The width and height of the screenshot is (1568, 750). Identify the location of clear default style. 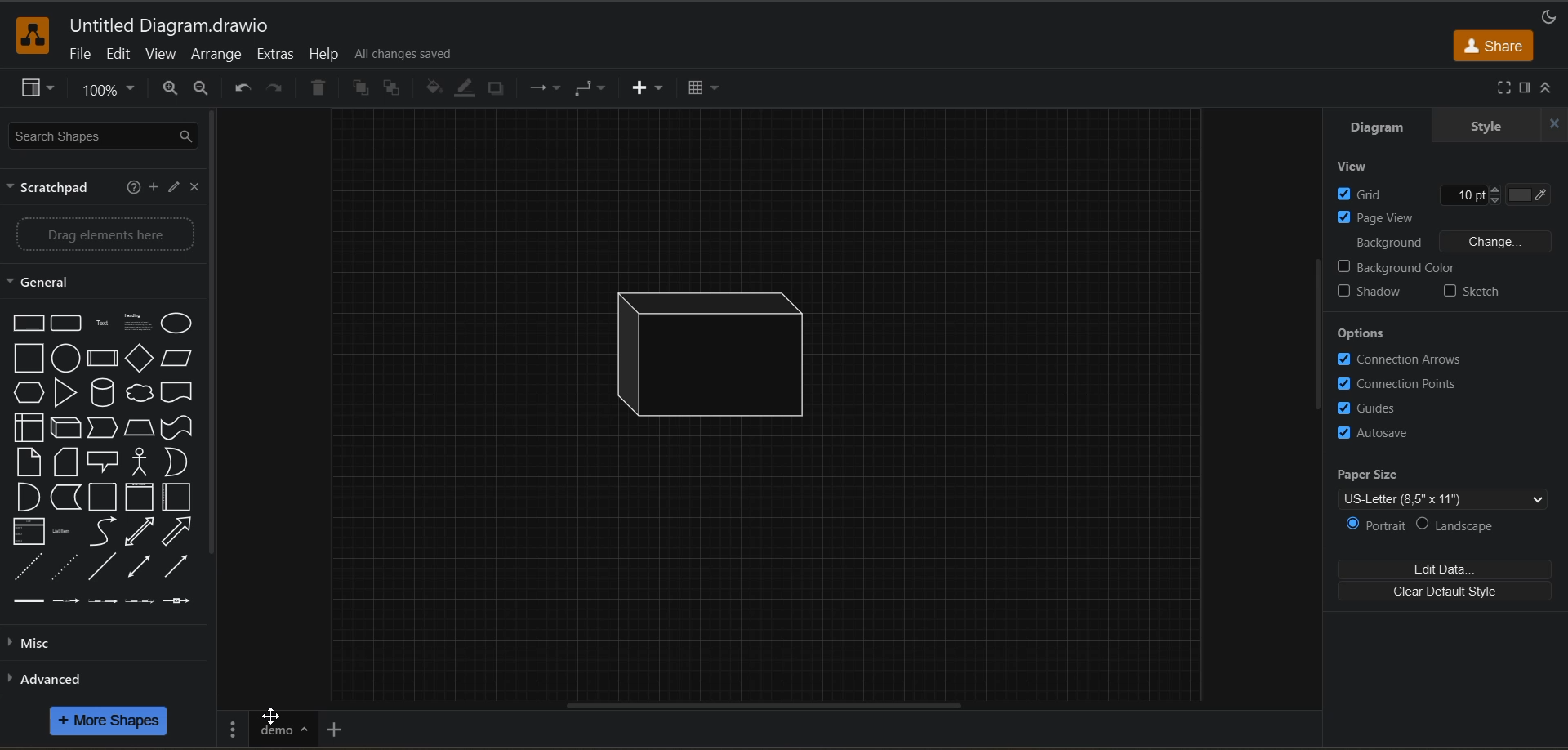
(1449, 594).